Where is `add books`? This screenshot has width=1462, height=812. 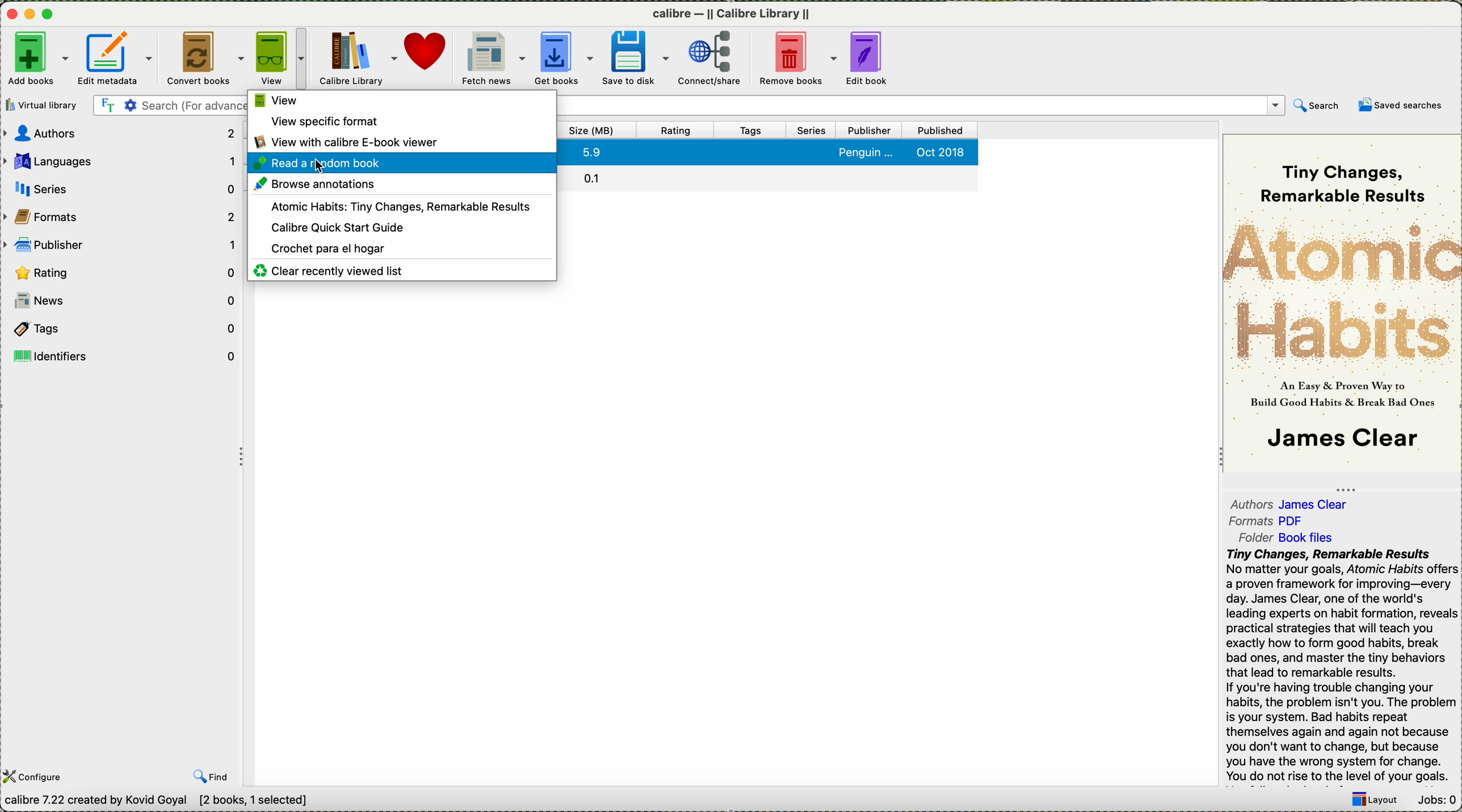 add books is located at coordinates (35, 58).